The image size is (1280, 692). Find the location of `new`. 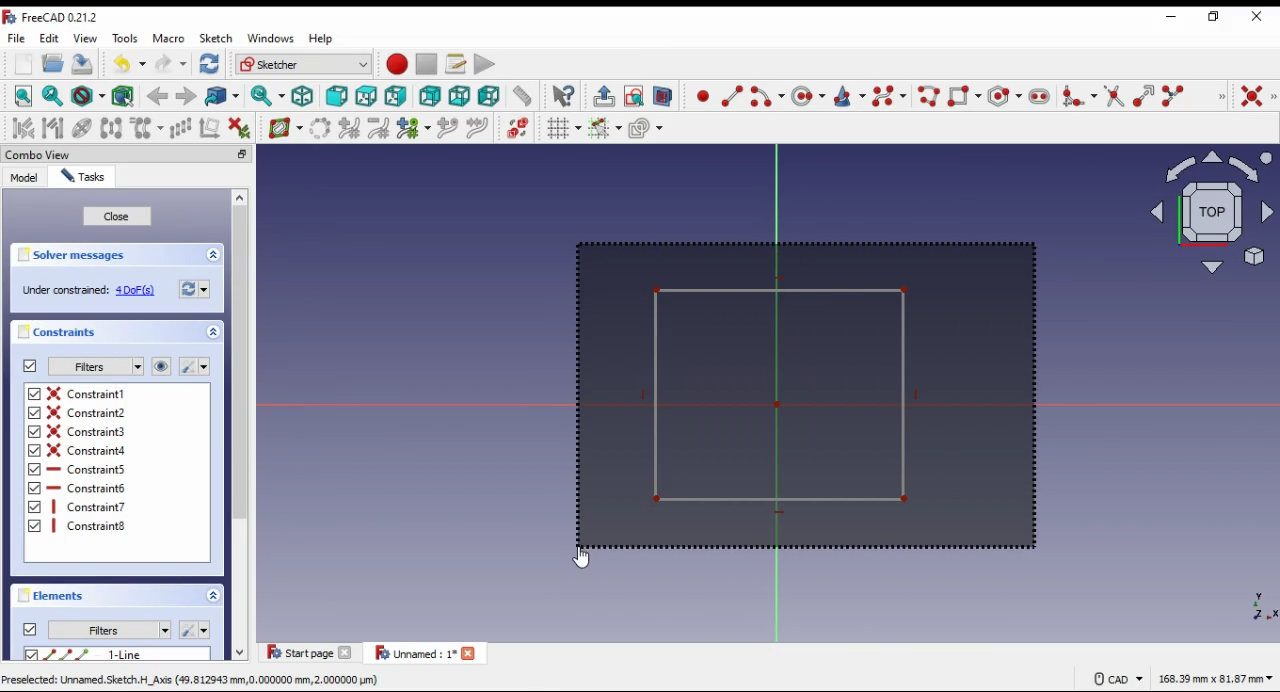

new is located at coordinates (23, 64).